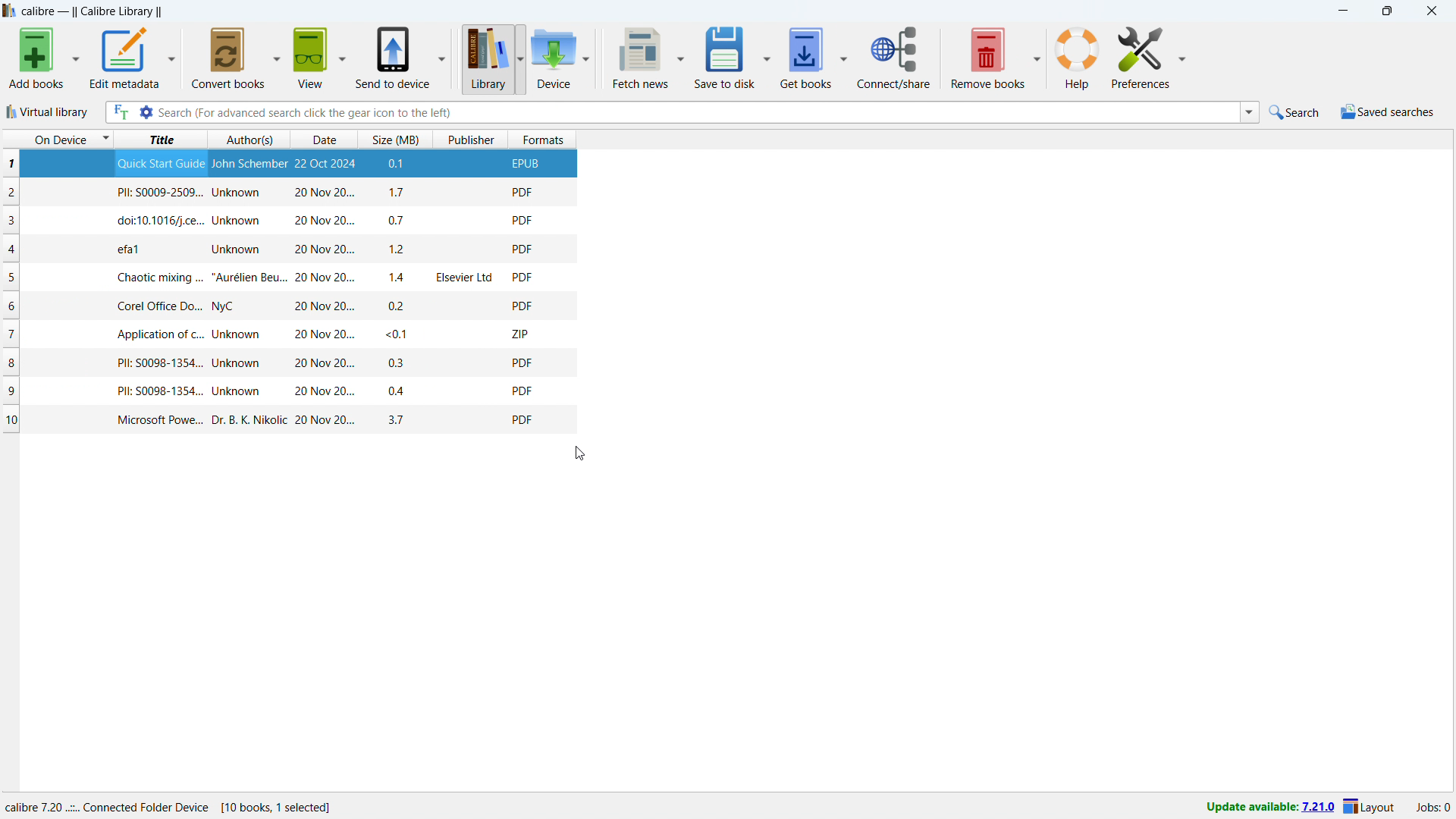 This screenshot has width=1456, height=819. I want to click on one book entry, so click(284, 334).